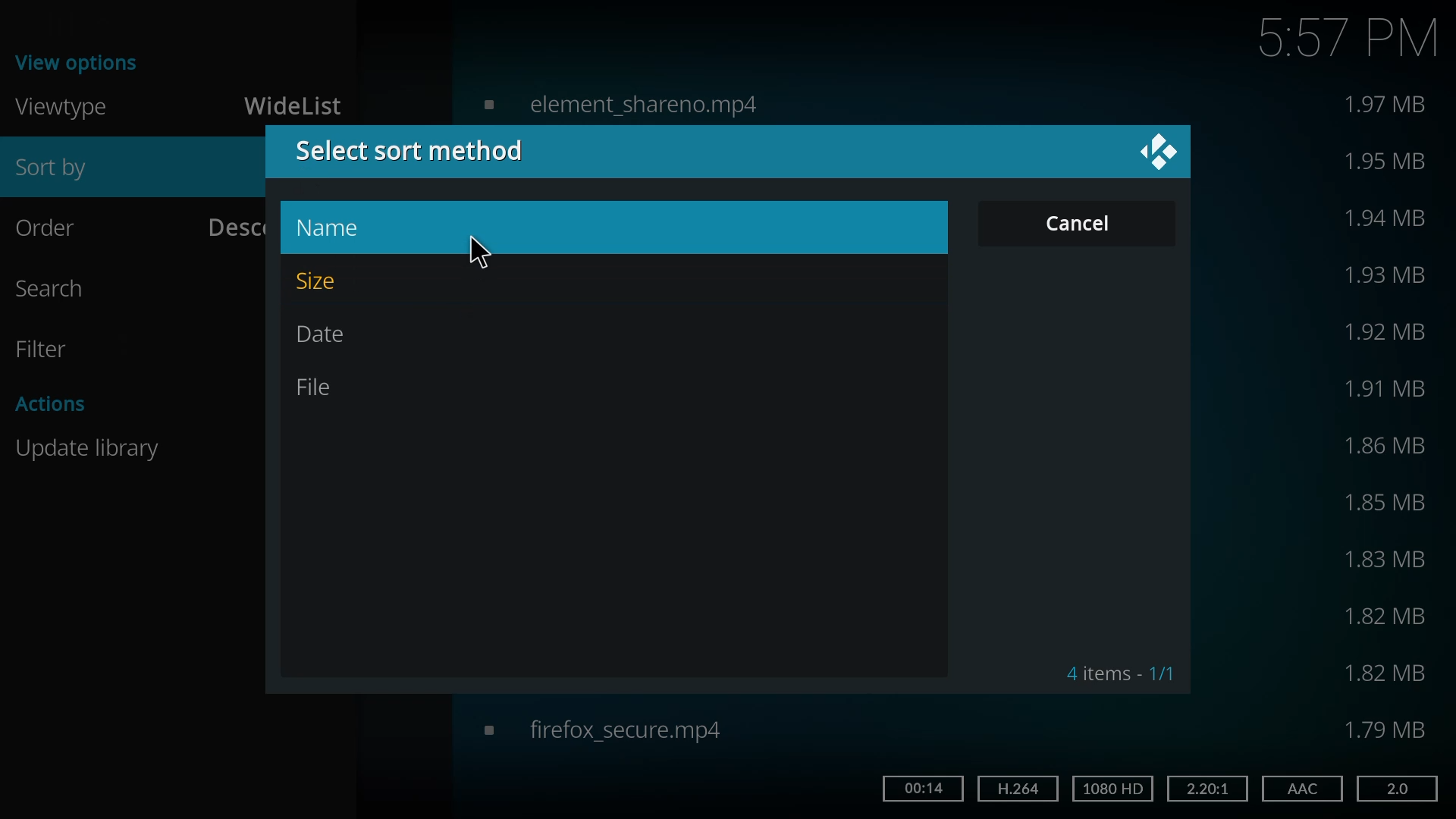 This screenshot has width=1456, height=819. What do you see at coordinates (1120, 673) in the screenshot?
I see `4 items` at bounding box center [1120, 673].